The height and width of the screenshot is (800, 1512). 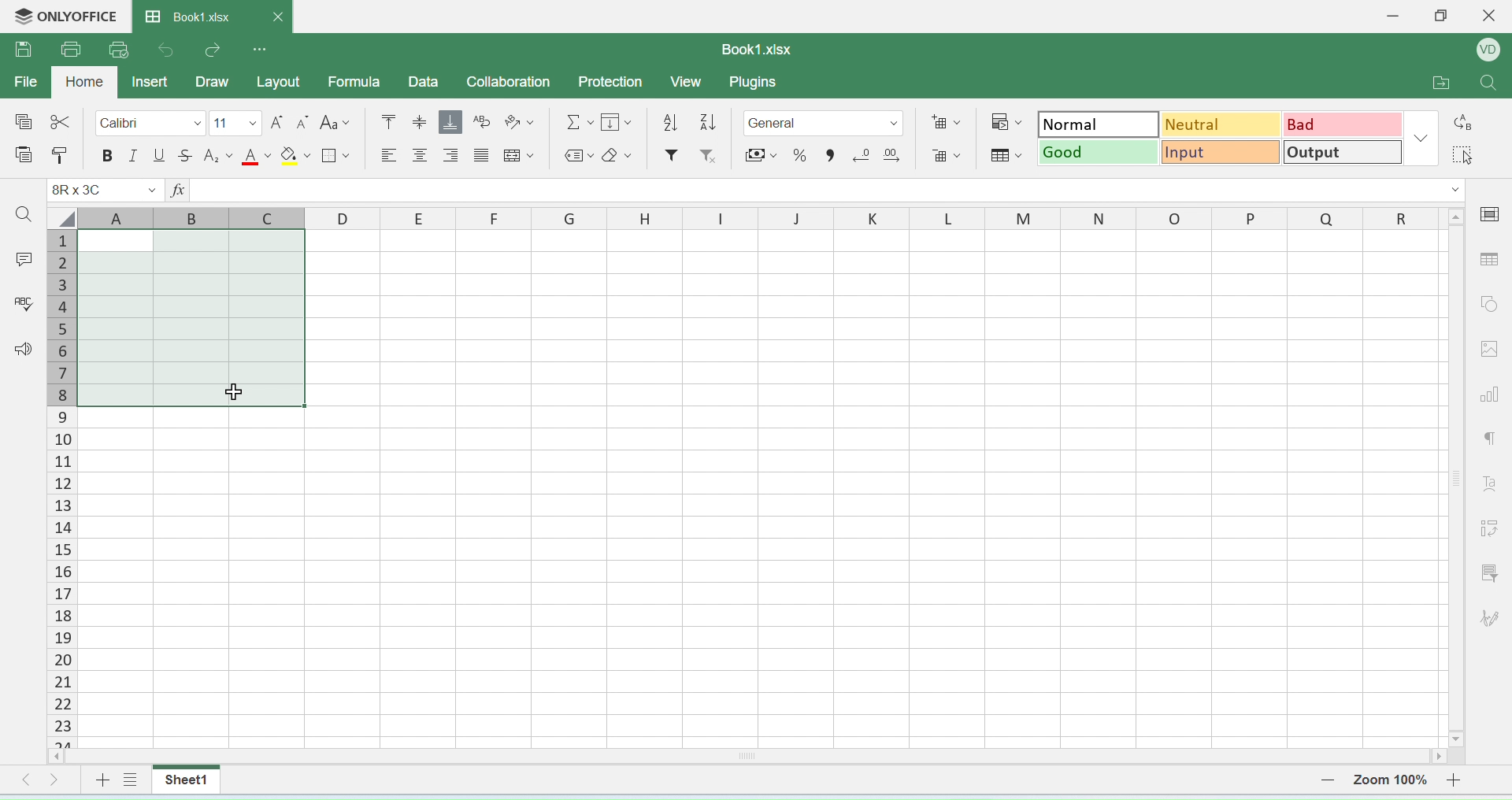 I want to click on profile, so click(x=1489, y=49).